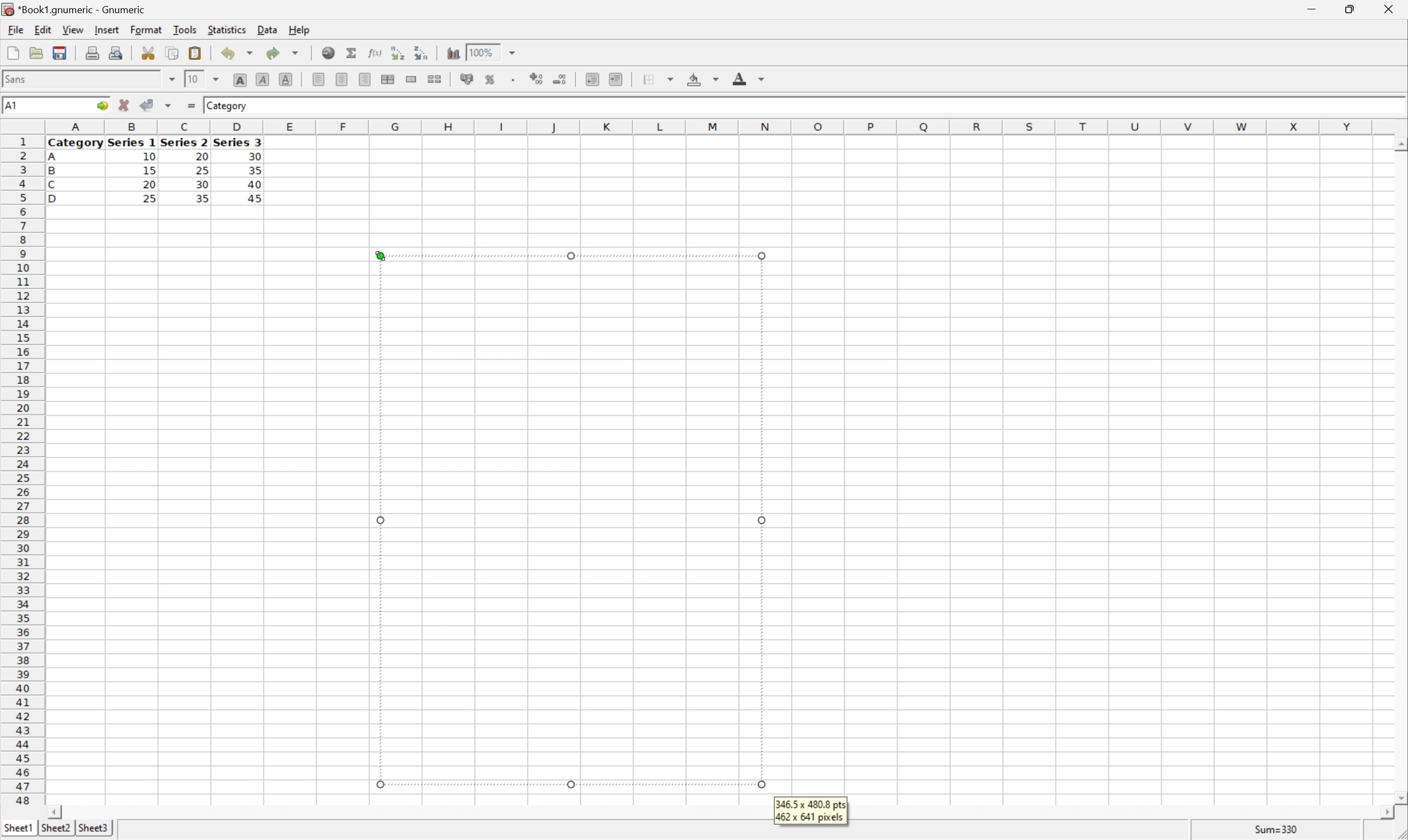 This screenshot has width=1408, height=840. Describe the element at coordinates (200, 155) in the screenshot. I see `20` at that location.